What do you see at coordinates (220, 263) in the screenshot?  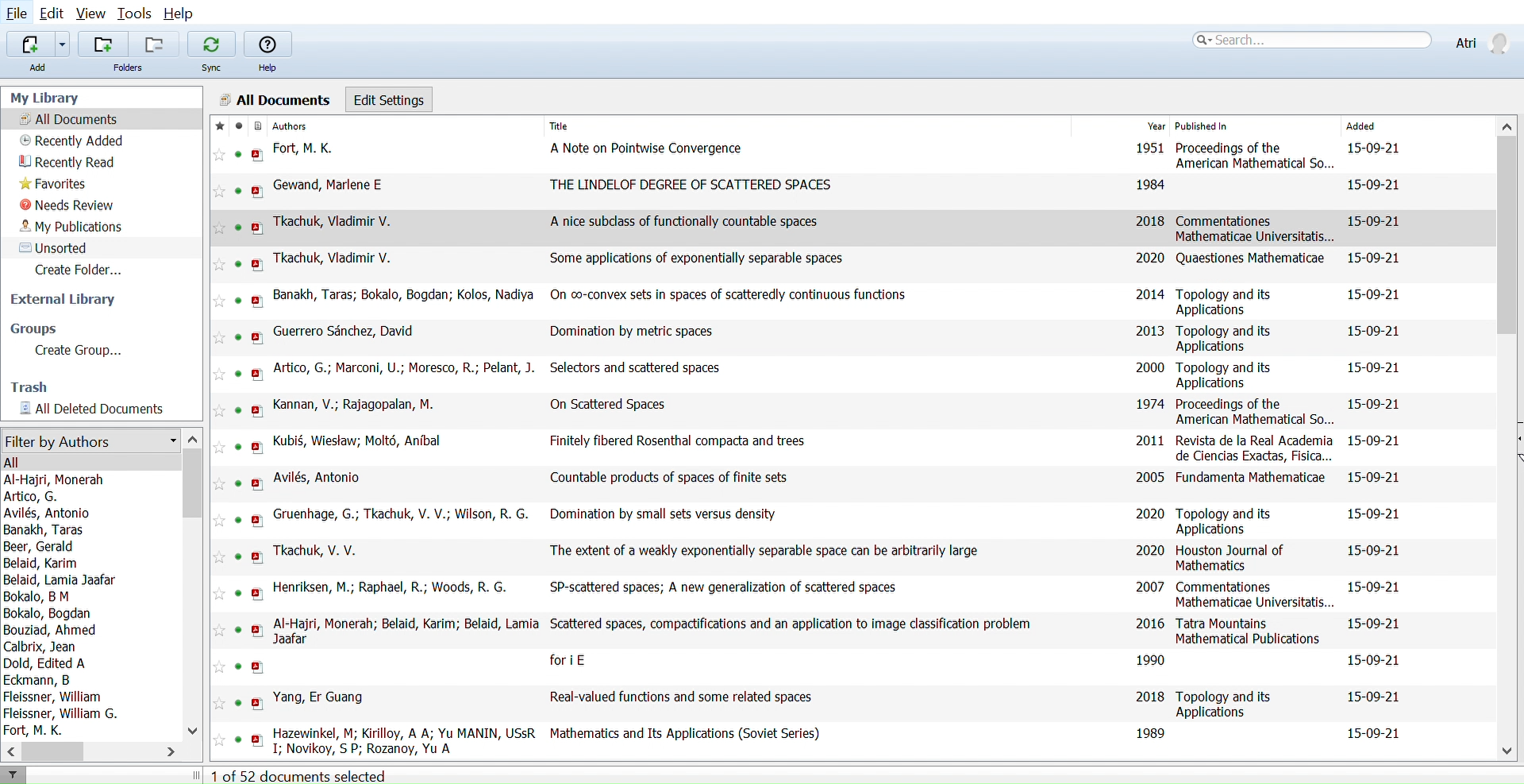 I see `Add this reference to favorites` at bounding box center [220, 263].